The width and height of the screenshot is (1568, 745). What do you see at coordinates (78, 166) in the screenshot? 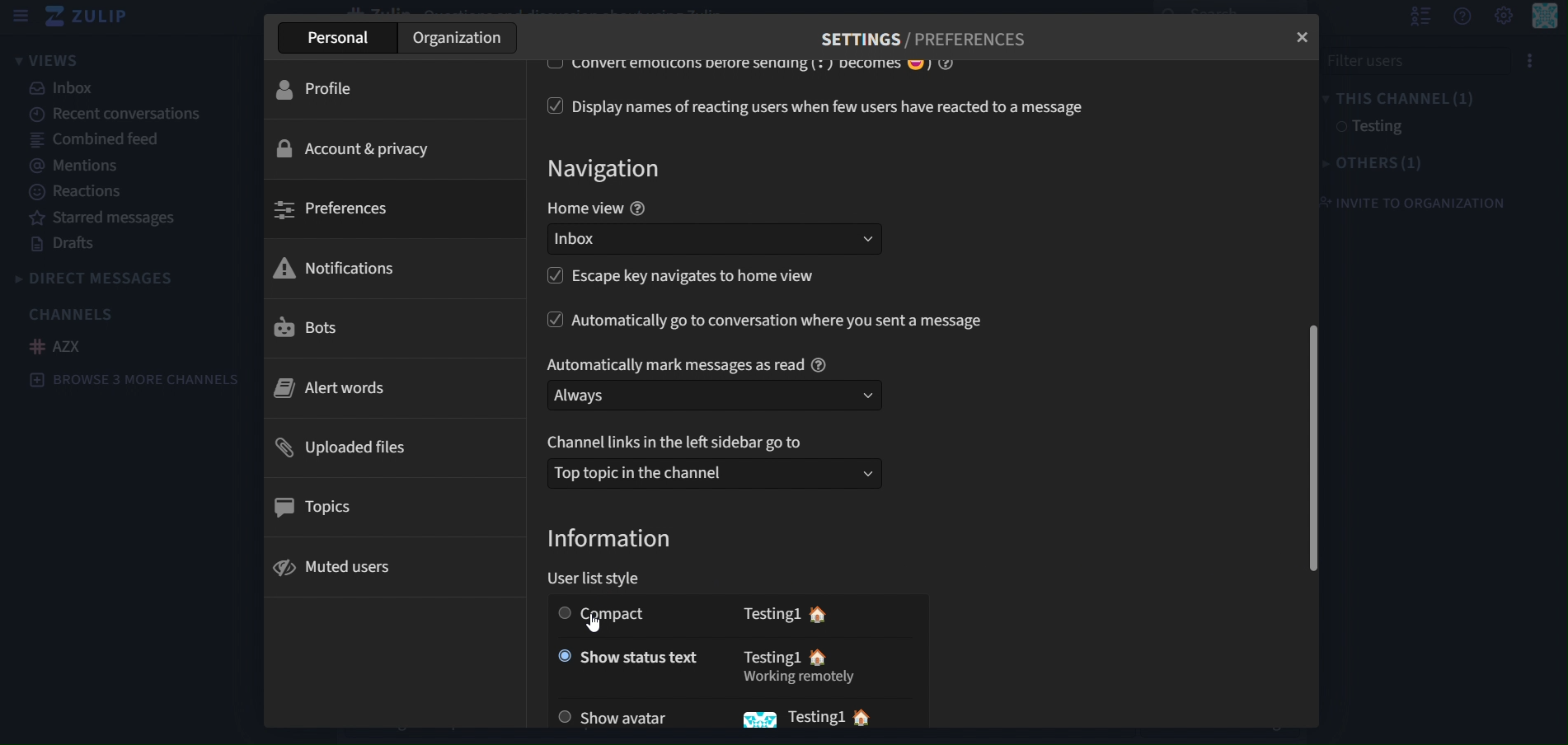
I see `mentions` at bounding box center [78, 166].